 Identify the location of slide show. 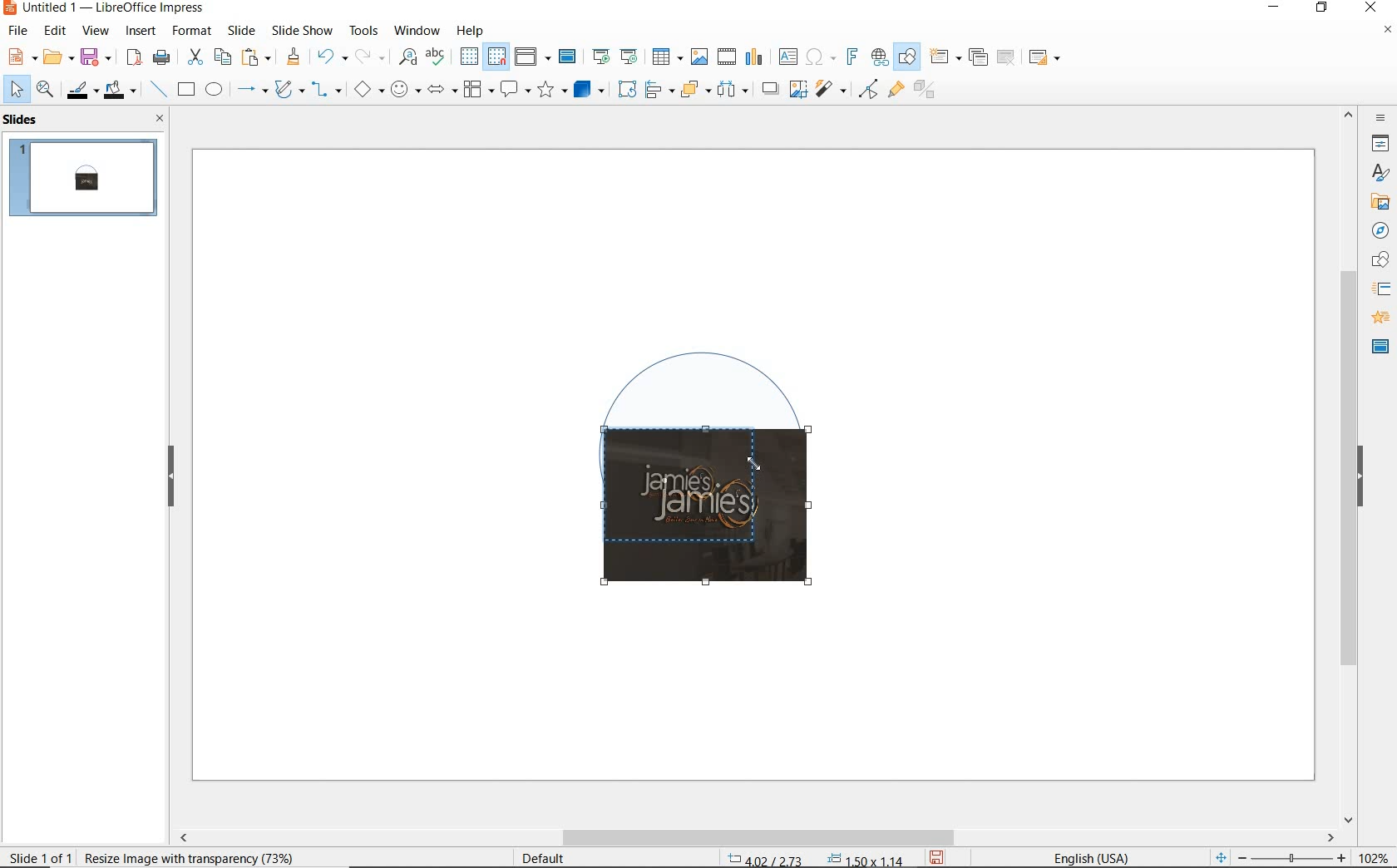
(301, 30).